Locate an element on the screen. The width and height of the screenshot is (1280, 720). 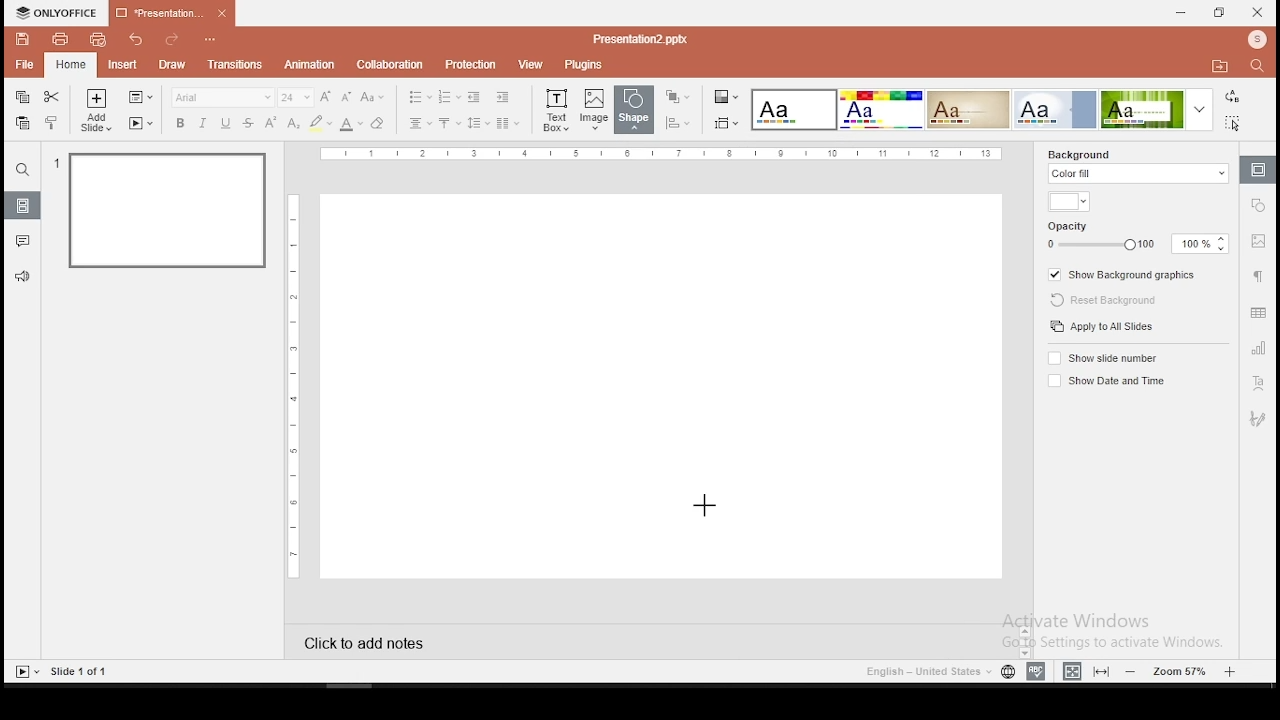
file is located at coordinates (26, 64).